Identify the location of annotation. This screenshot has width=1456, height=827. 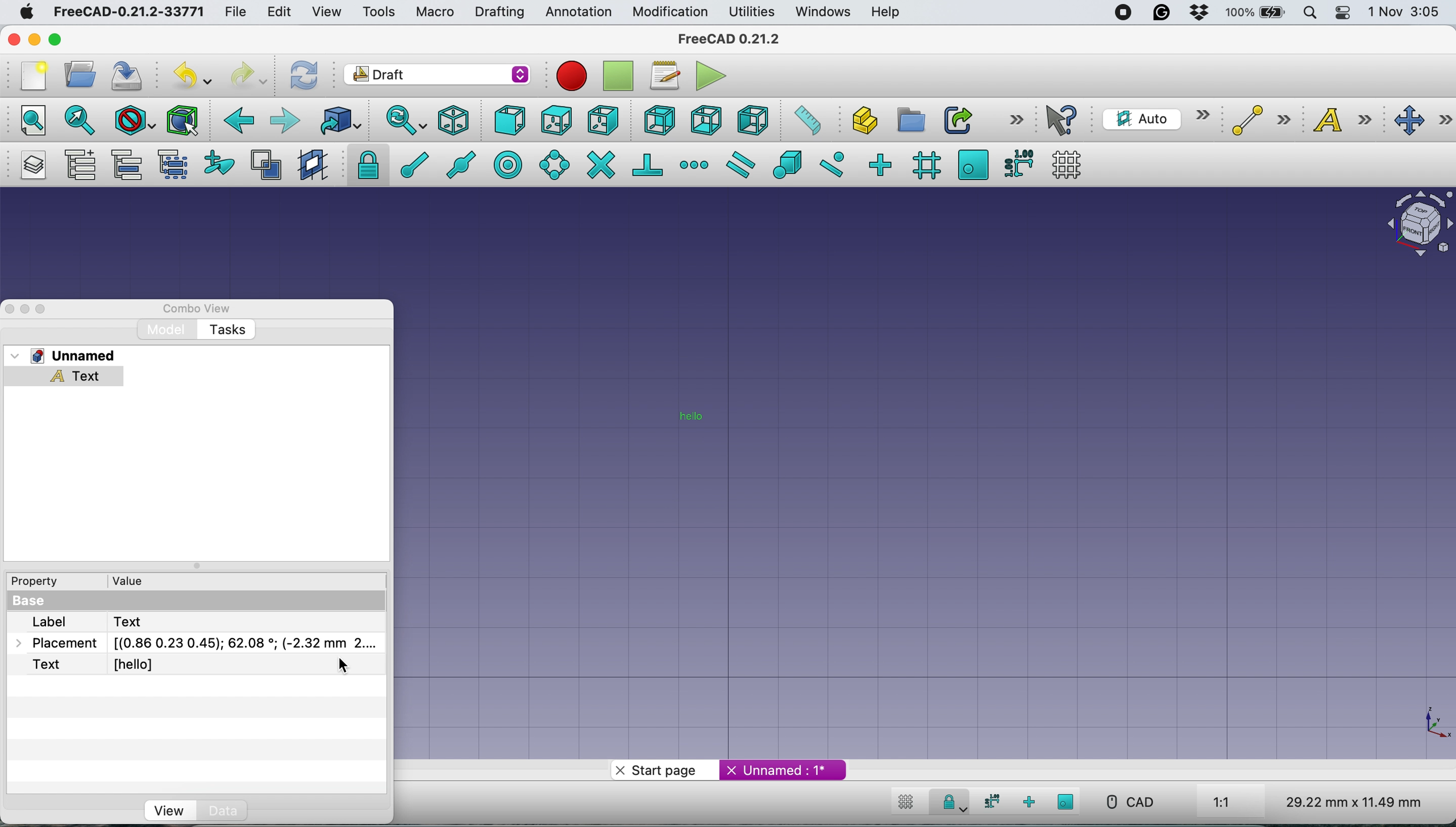
(576, 13).